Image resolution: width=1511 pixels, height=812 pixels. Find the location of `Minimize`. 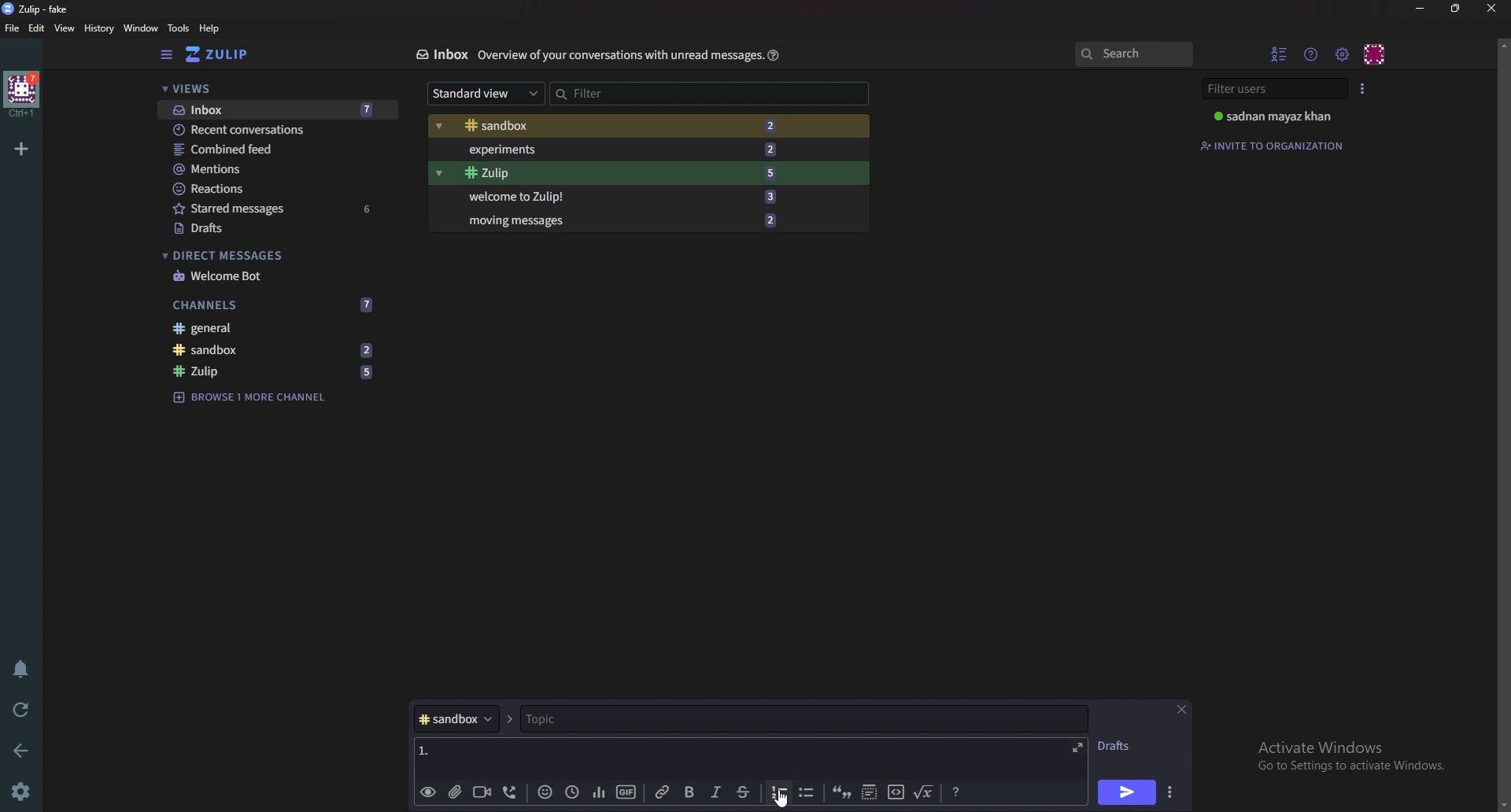

Minimize is located at coordinates (1421, 8).